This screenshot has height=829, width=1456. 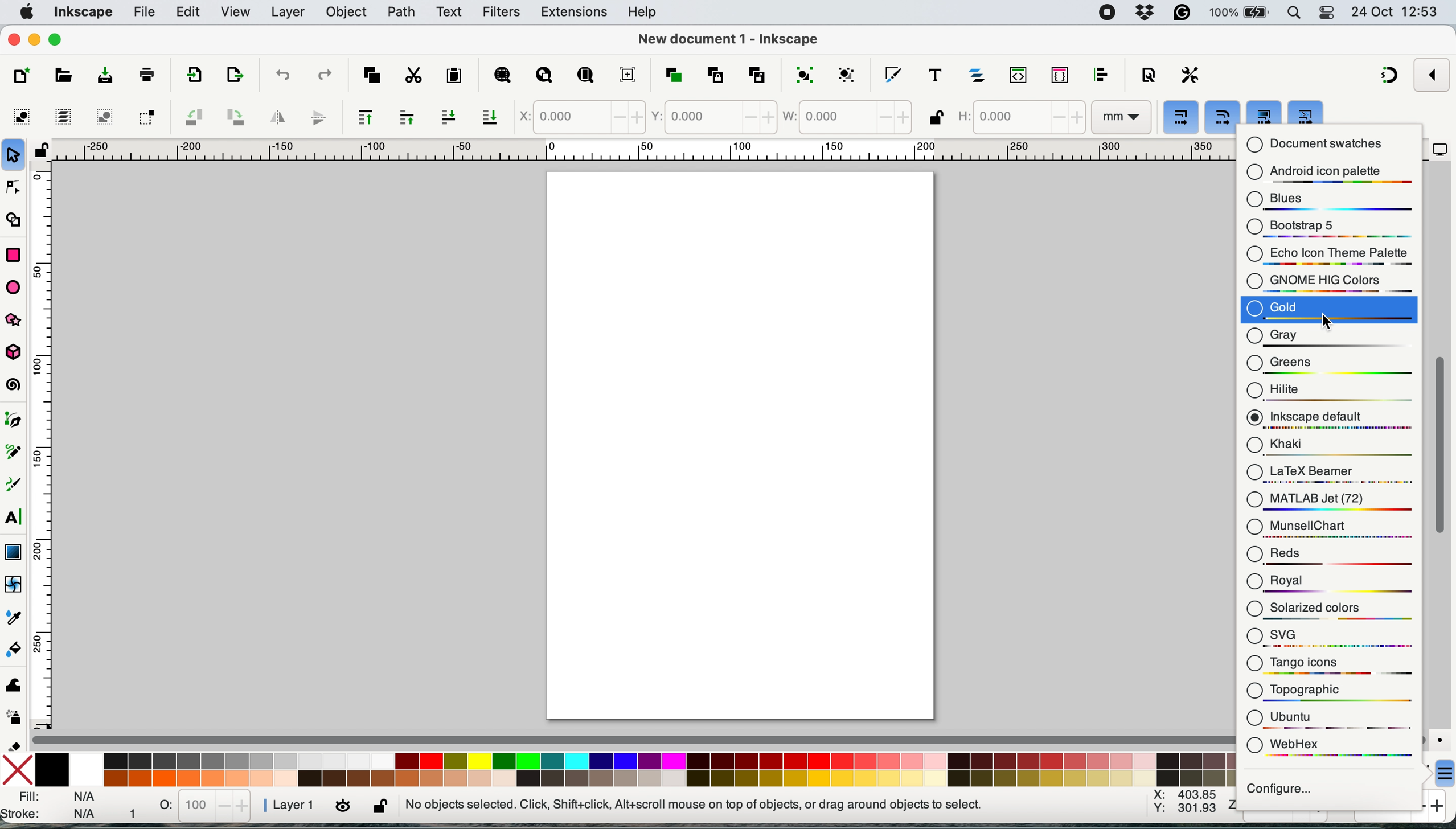 I want to click on pencil tool, so click(x=17, y=454).